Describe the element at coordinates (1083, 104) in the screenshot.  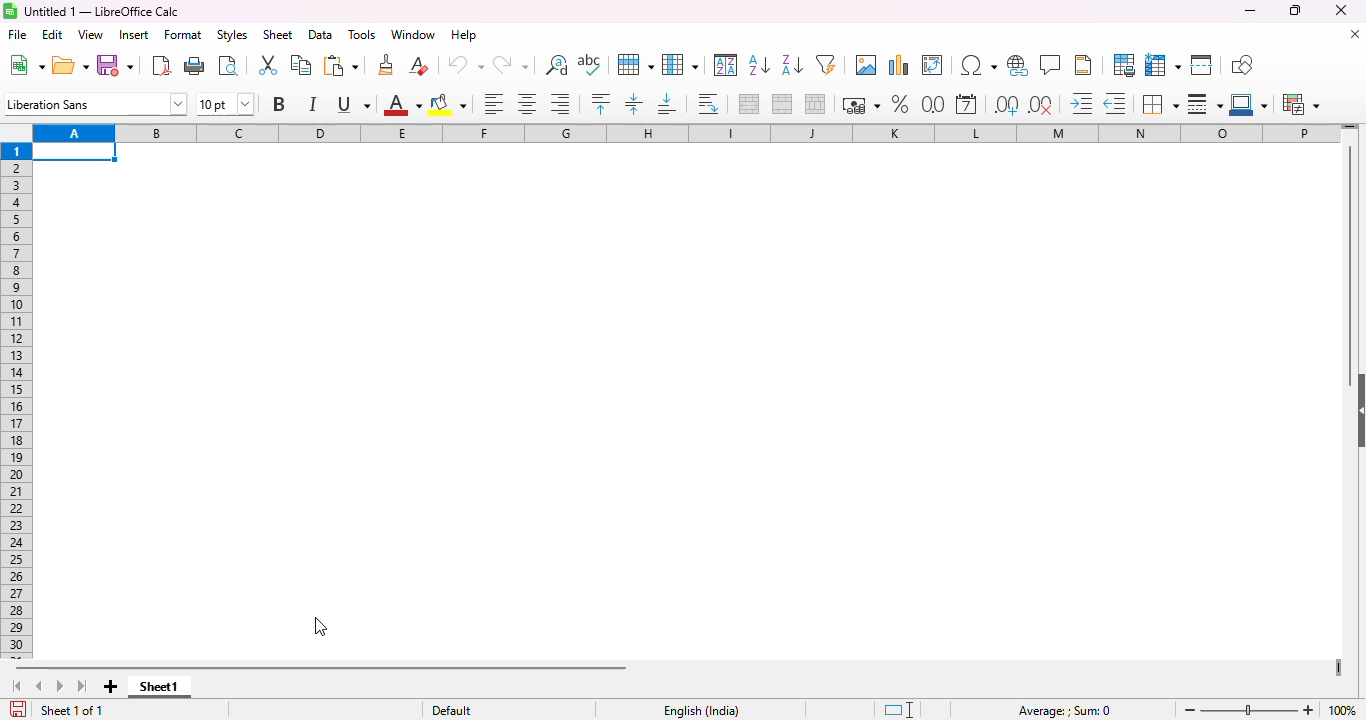
I see `increase indent` at that location.